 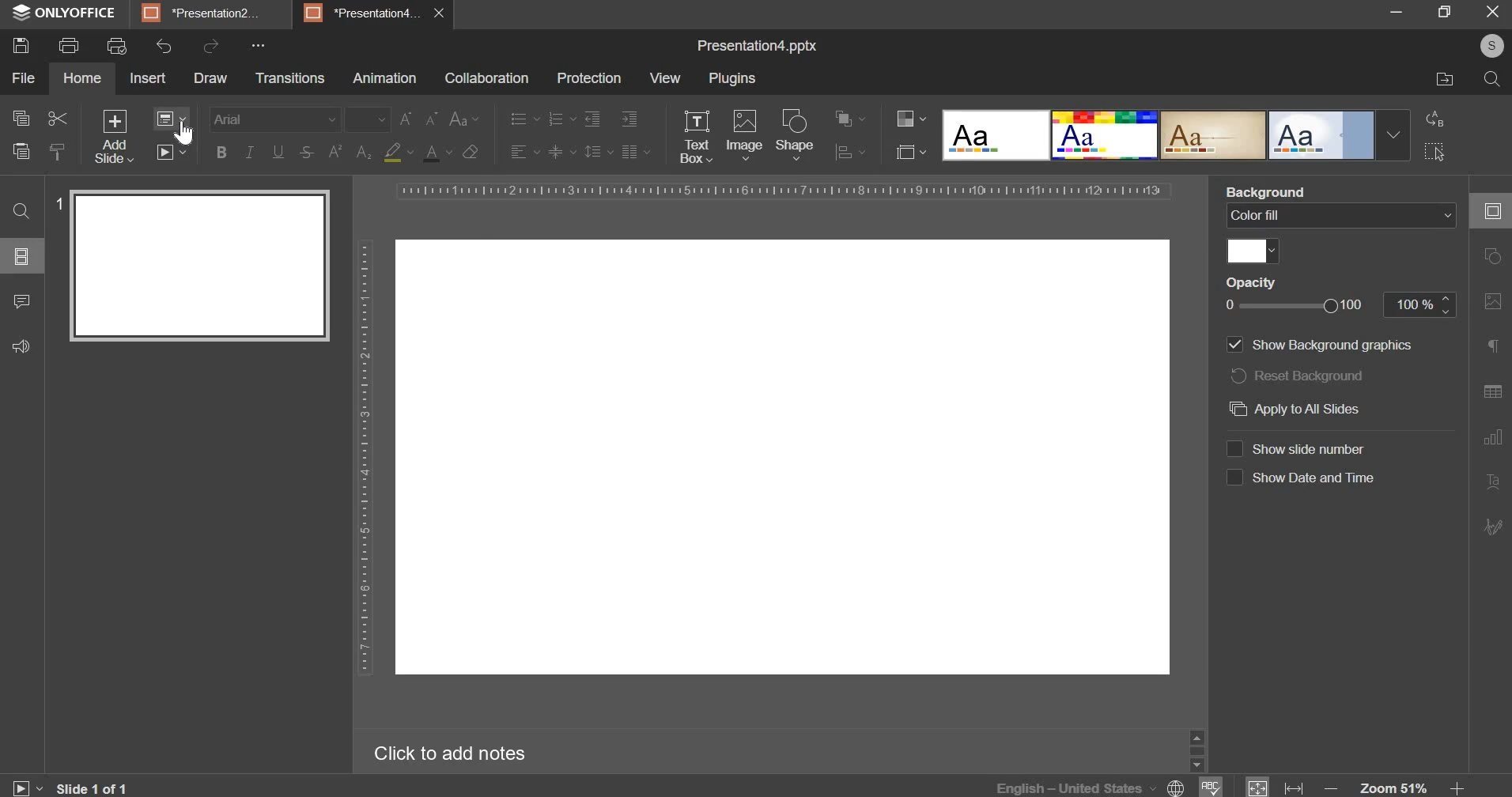 What do you see at coordinates (1491, 436) in the screenshot?
I see `graph setting` at bounding box center [1491, 436].